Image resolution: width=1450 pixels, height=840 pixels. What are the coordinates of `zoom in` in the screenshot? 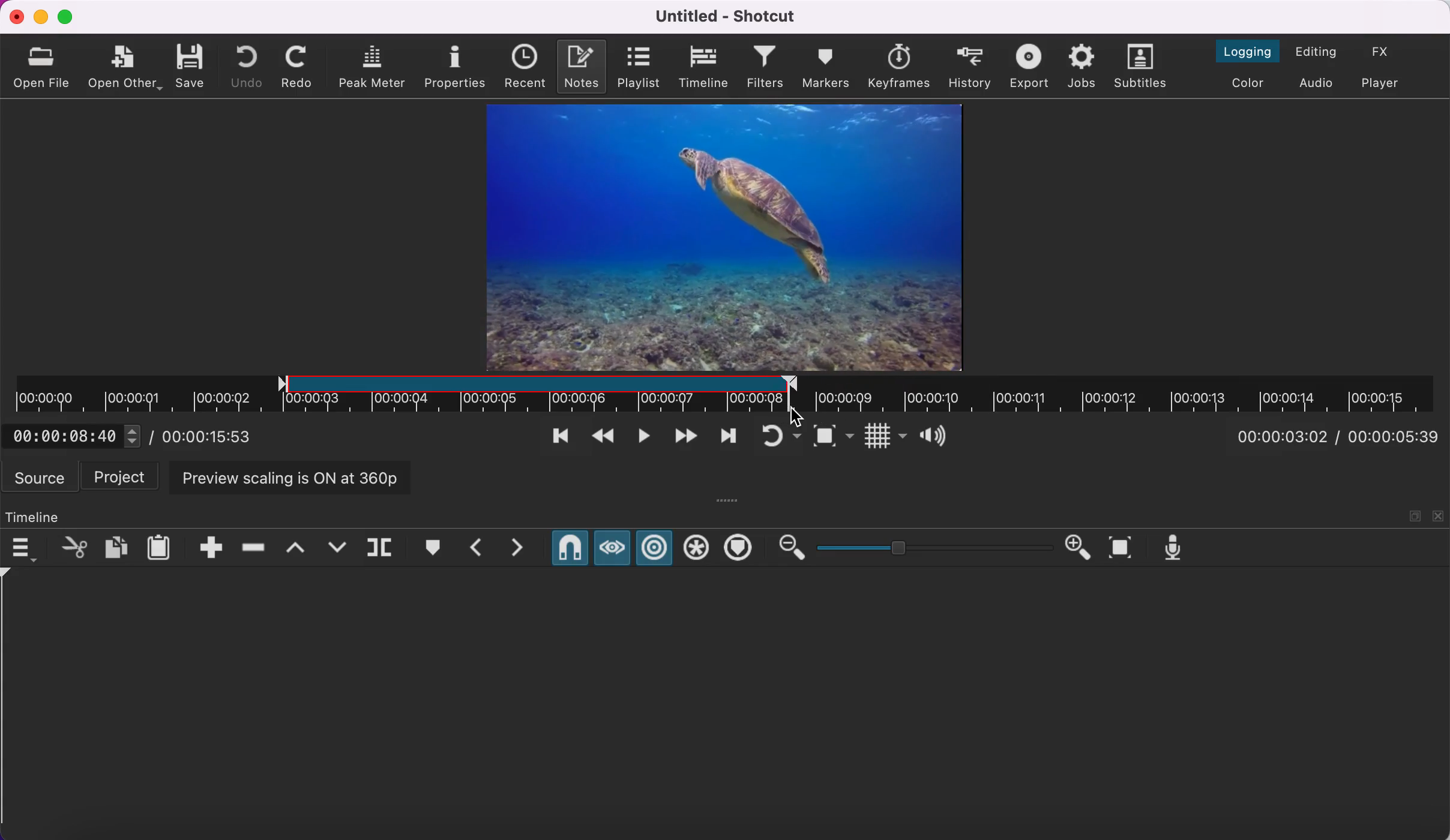 It's located at (1081, 548).